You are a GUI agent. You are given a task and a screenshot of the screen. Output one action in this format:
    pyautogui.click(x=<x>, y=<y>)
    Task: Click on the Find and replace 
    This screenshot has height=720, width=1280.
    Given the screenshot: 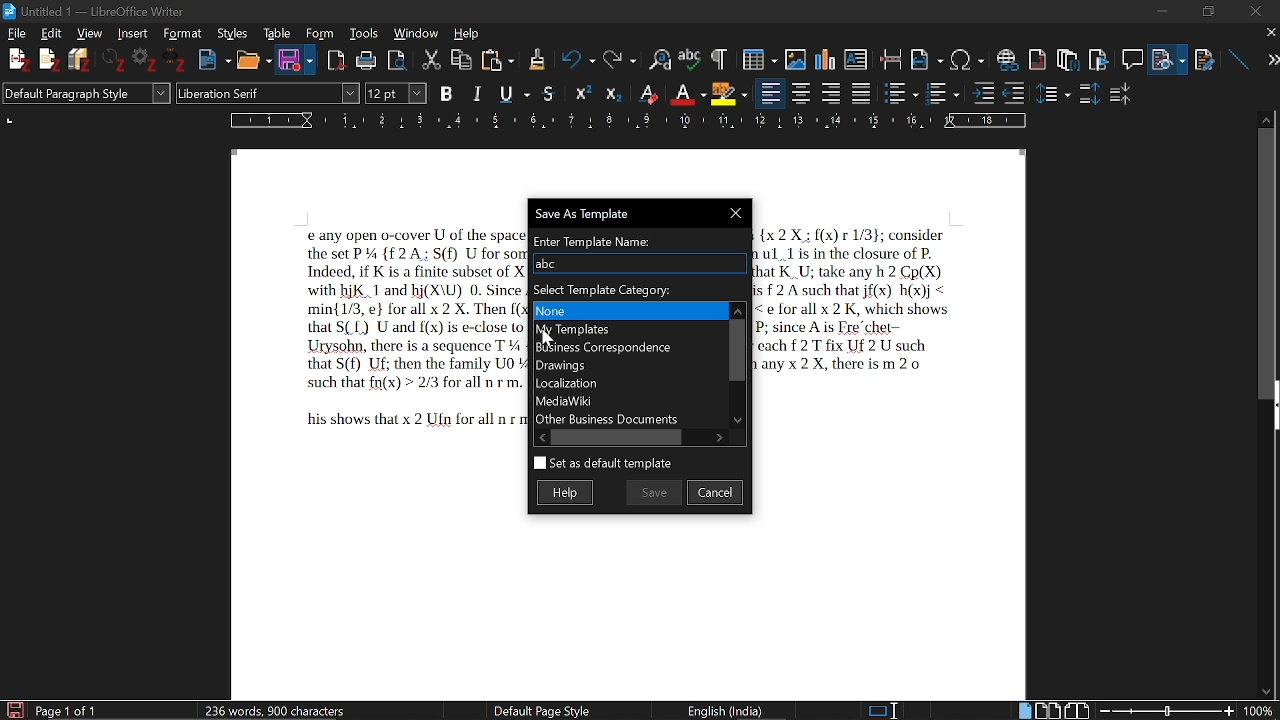 What is the action you would take?
    pyautogui.click(x=657, y=58)
    